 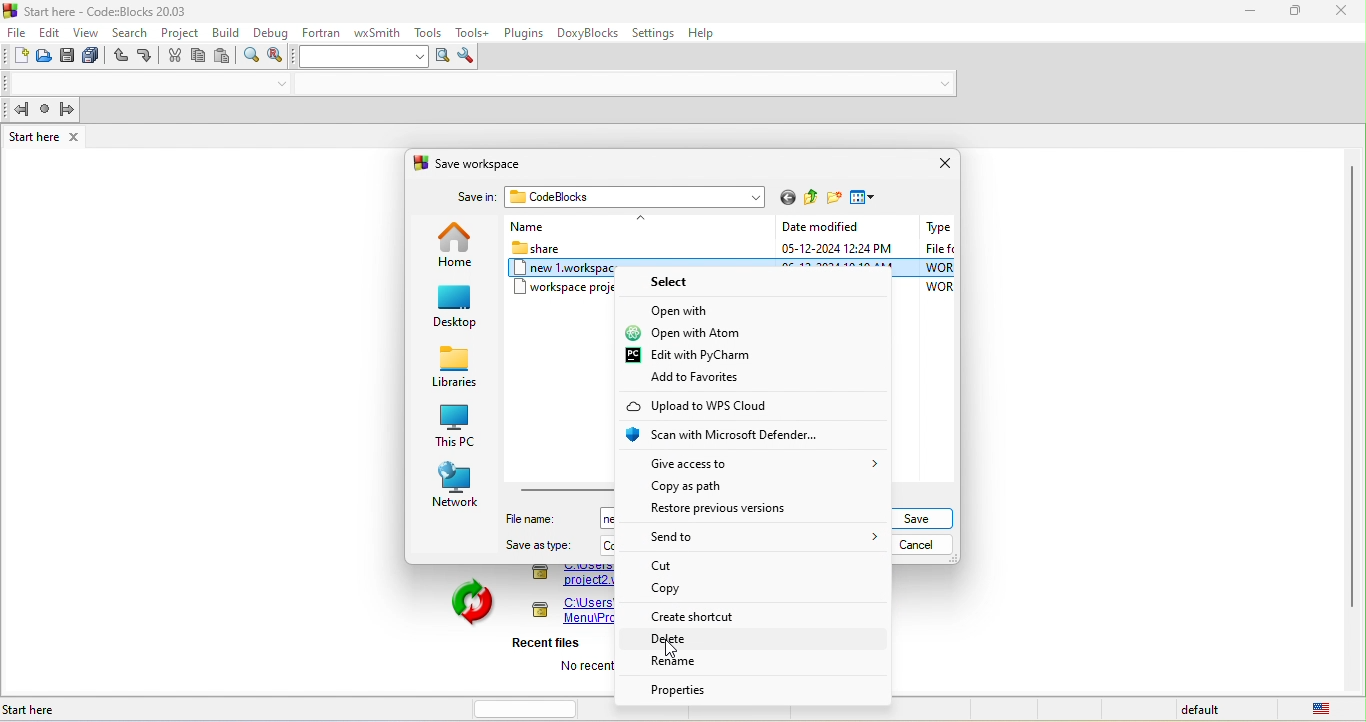 I want to click on share 05-12-2024 12:24 PM File, so click(x=733, y=248).